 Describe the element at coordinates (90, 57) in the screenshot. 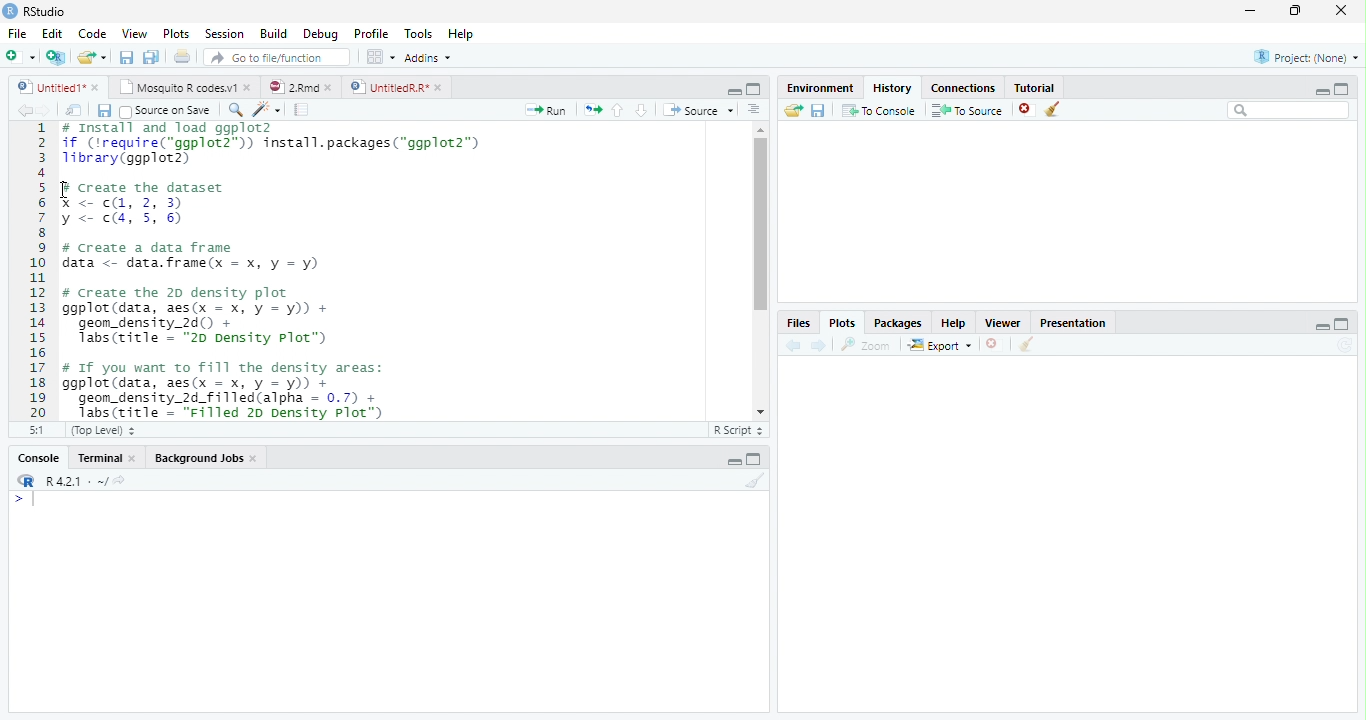

I see `open an existing file` at that location.